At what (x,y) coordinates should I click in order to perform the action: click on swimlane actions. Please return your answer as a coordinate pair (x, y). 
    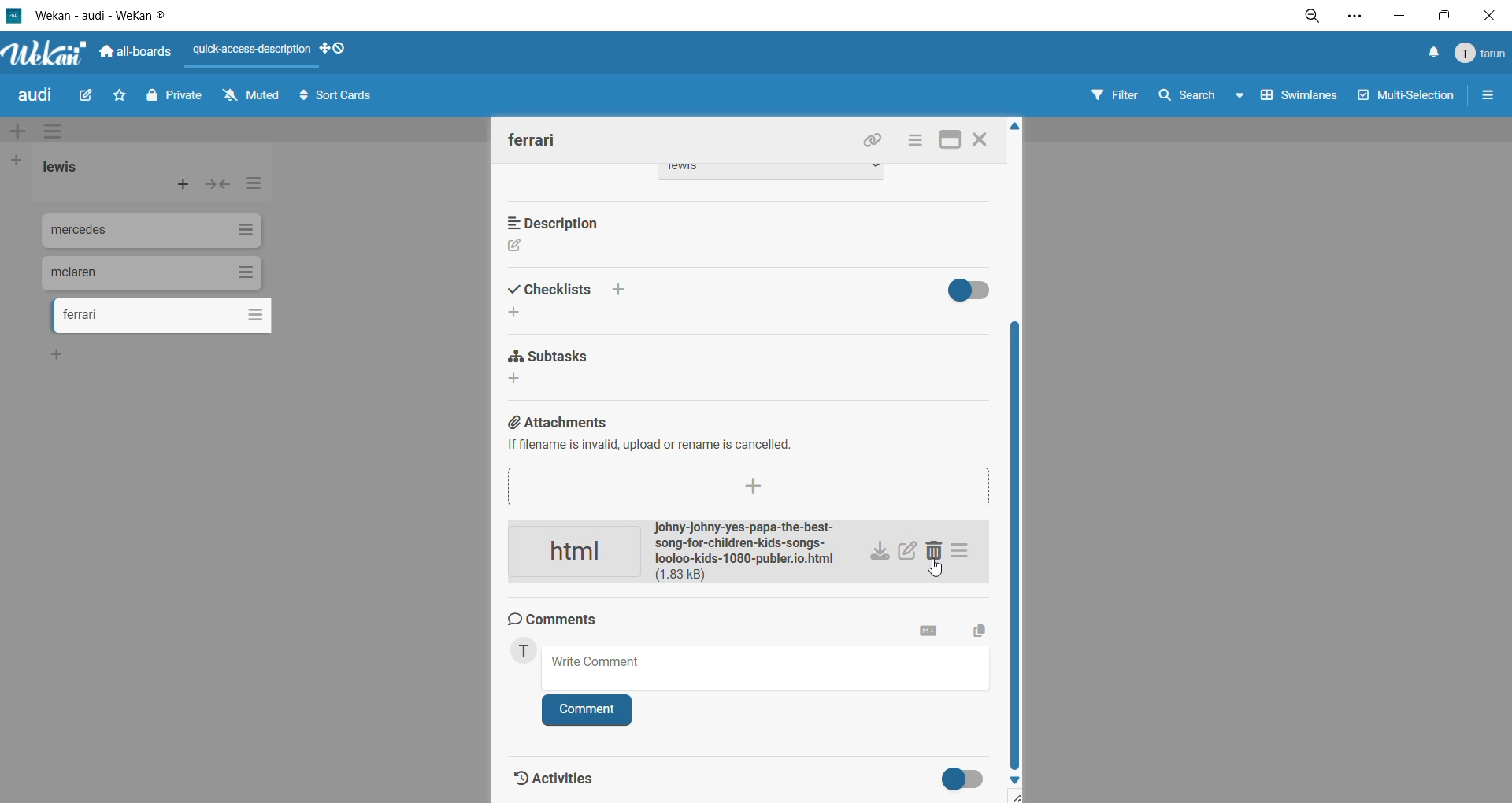
    Looking at the image, I should click on (57, 132).